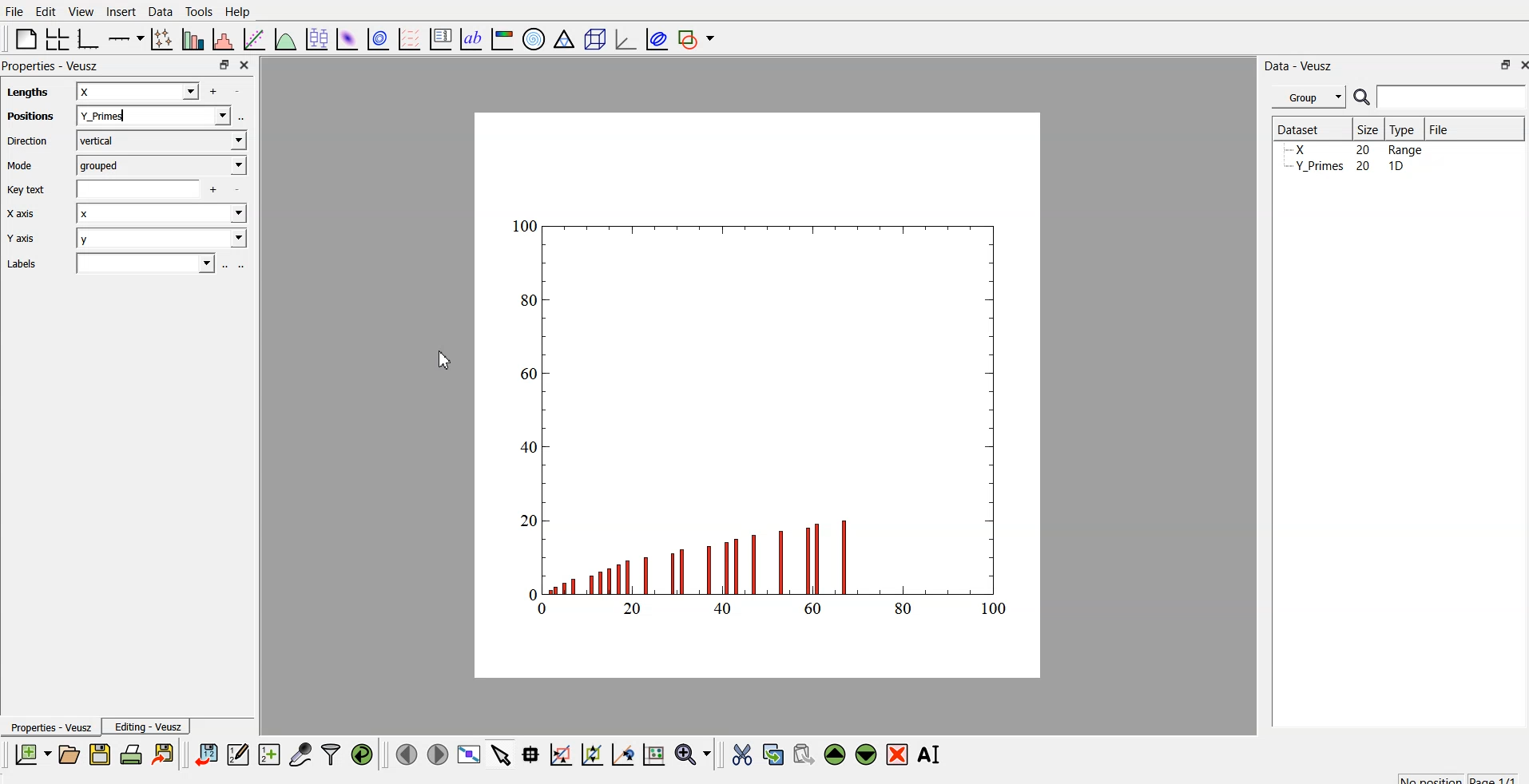 This screenshot has height=784, width=1529. Describe the element at coordinates (109, 89) in the screenshot. I see `lengths x` at that location.